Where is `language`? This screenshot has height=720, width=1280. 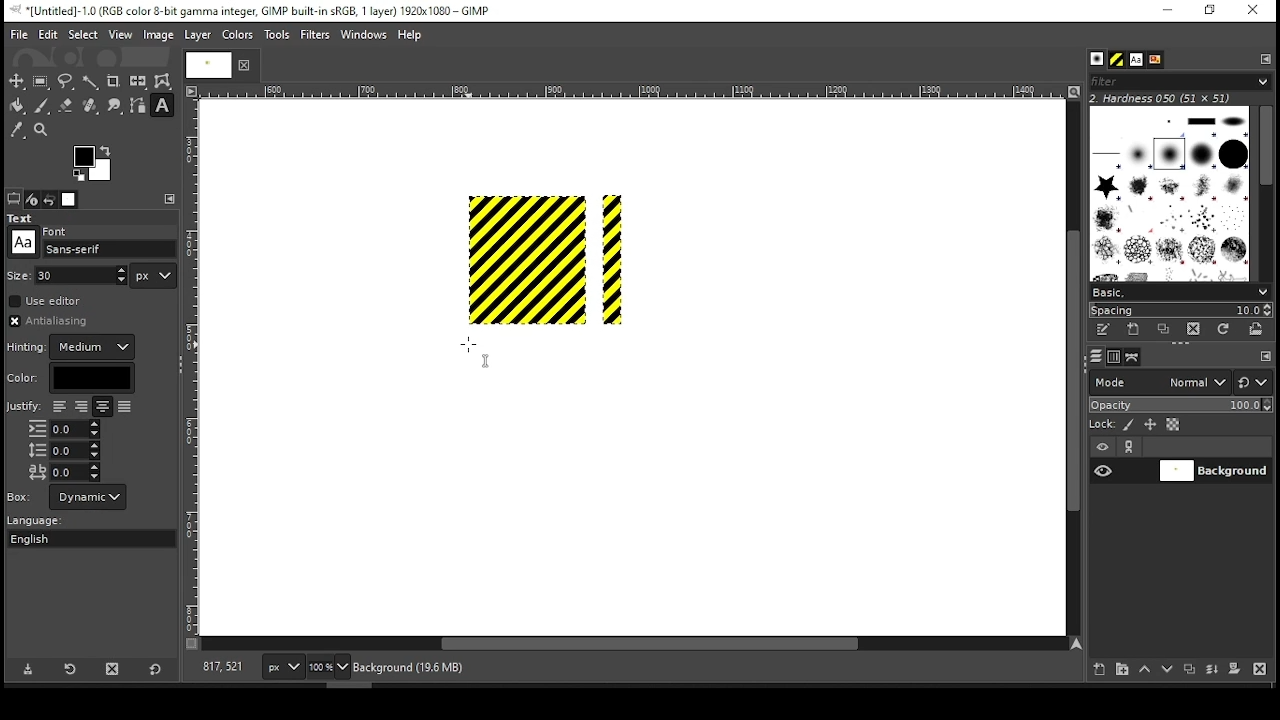
language is located at coordinates (44, 521).